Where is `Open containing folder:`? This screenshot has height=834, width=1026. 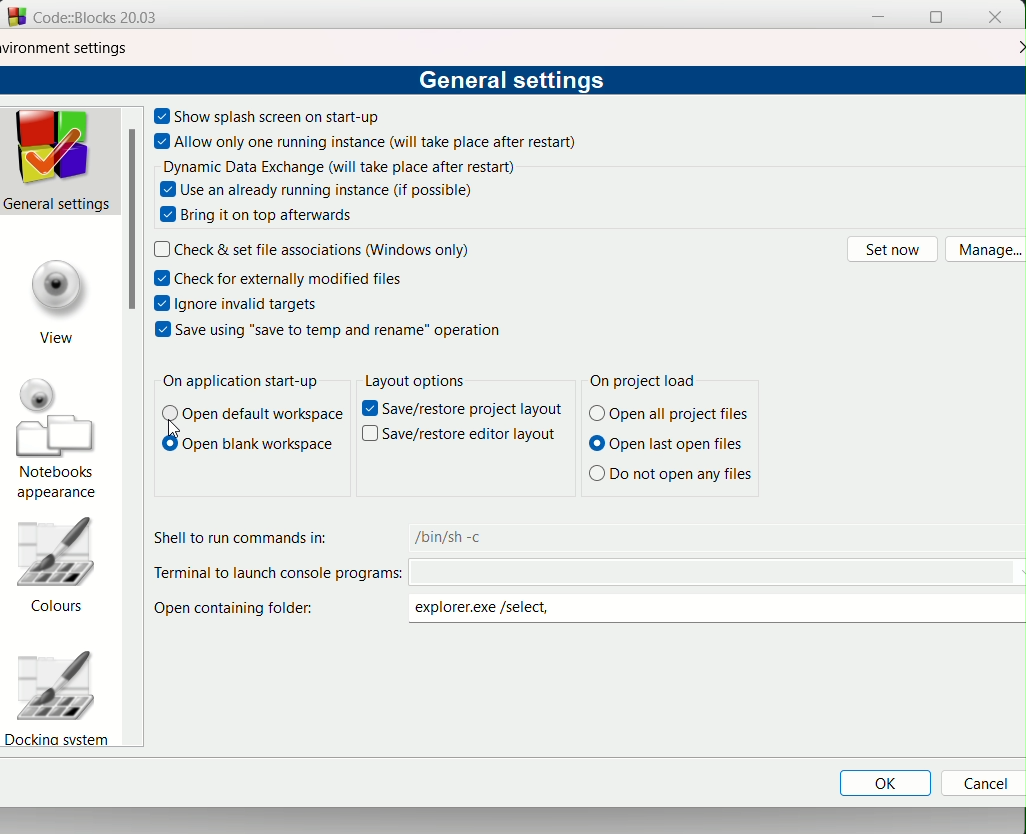 Open containing folder: is located at coordinates (244, 614).